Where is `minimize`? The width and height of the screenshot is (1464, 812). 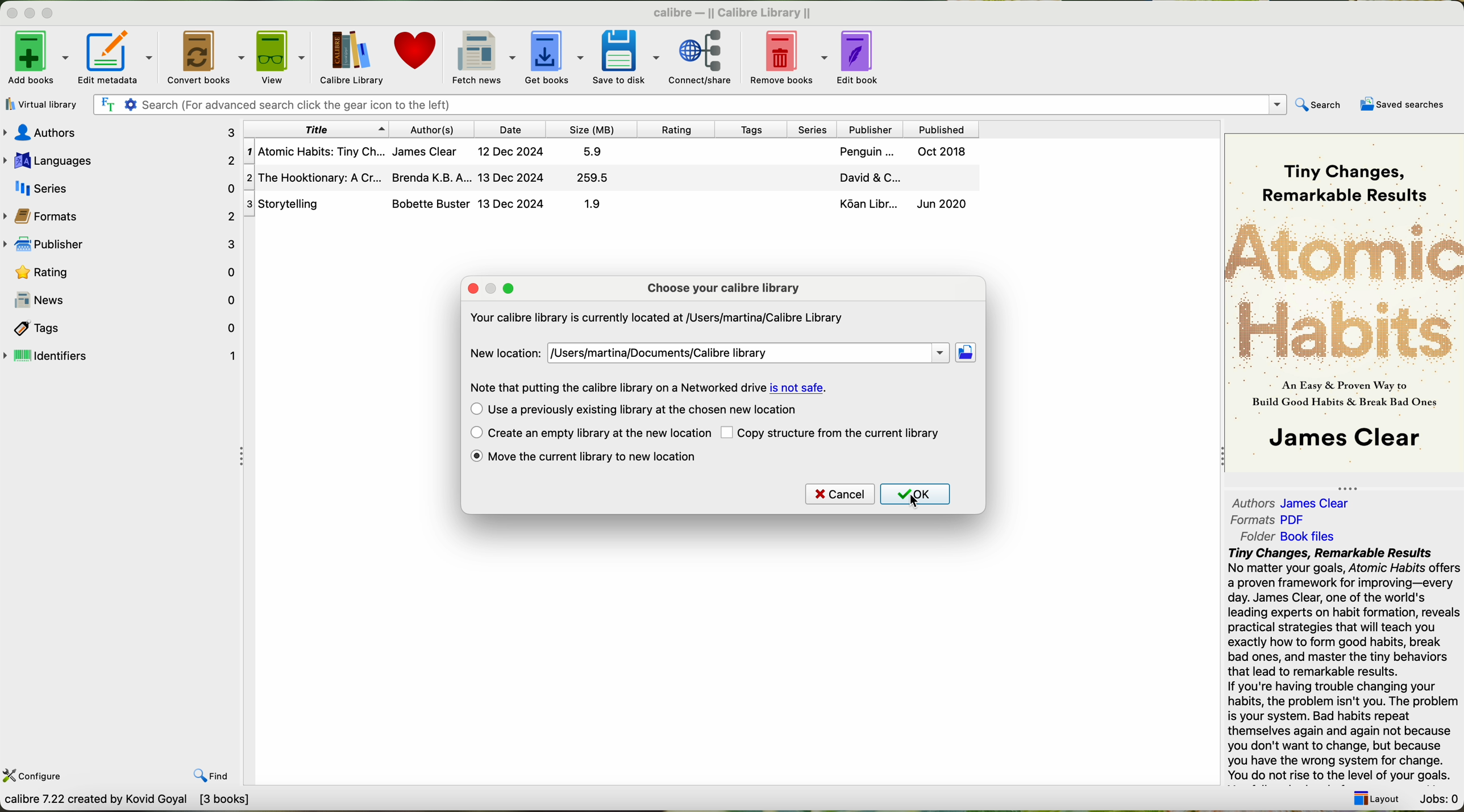 minimize is located at coordinates (492, 288).